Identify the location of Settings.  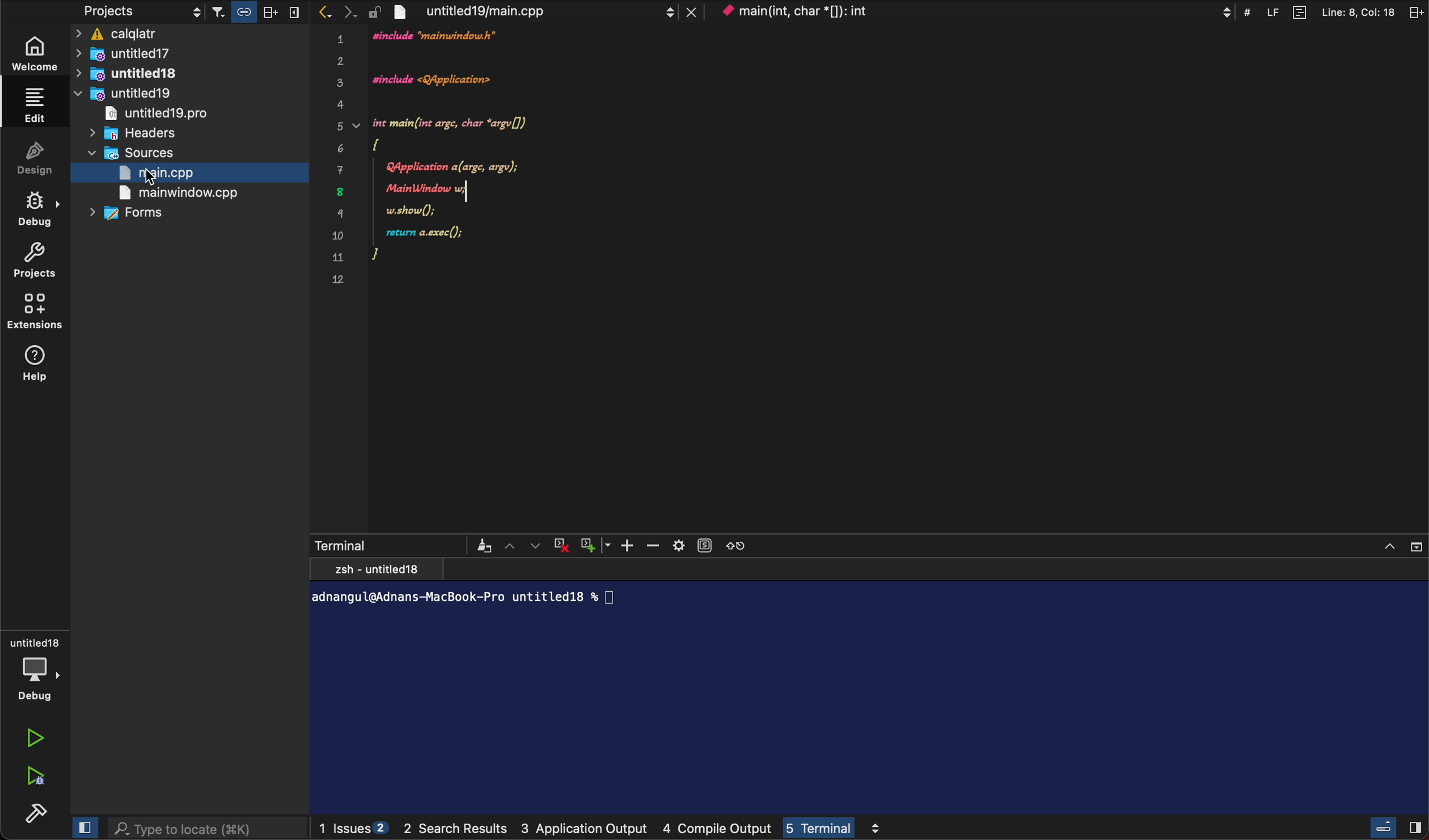
(678, 544).